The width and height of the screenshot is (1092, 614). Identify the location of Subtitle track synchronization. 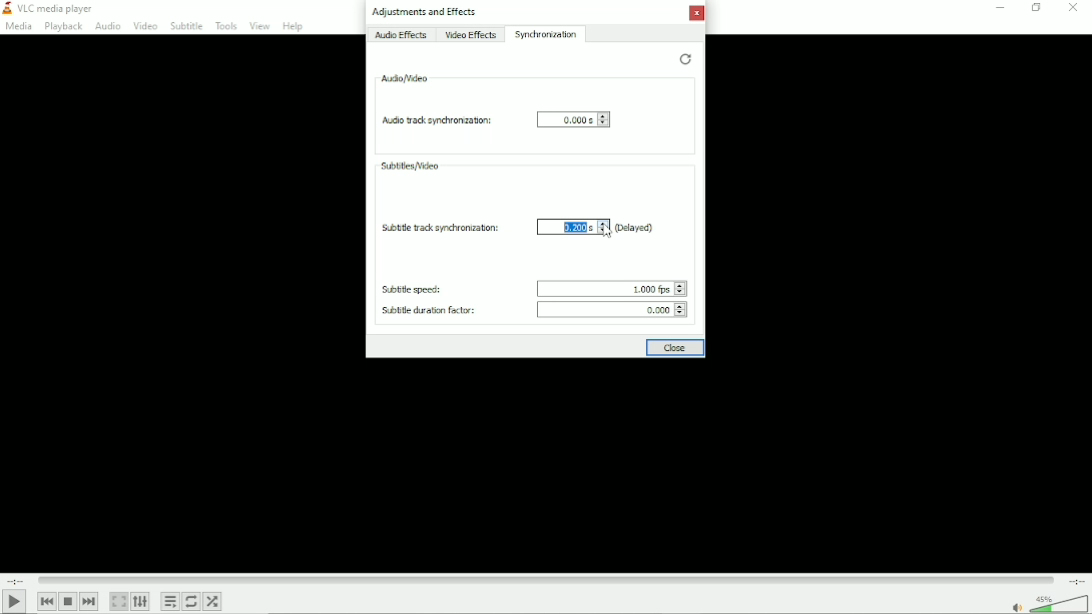
(442, 230).